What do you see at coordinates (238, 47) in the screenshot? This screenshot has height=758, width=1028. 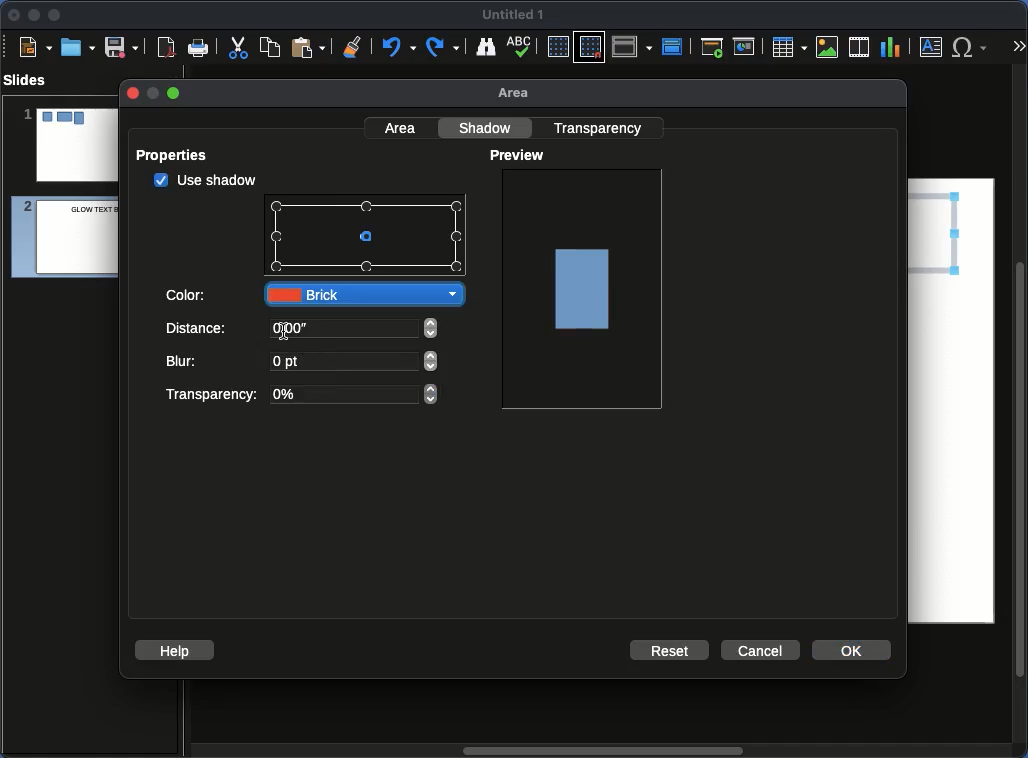 I see `Cut` at bounding box center [238, 47].